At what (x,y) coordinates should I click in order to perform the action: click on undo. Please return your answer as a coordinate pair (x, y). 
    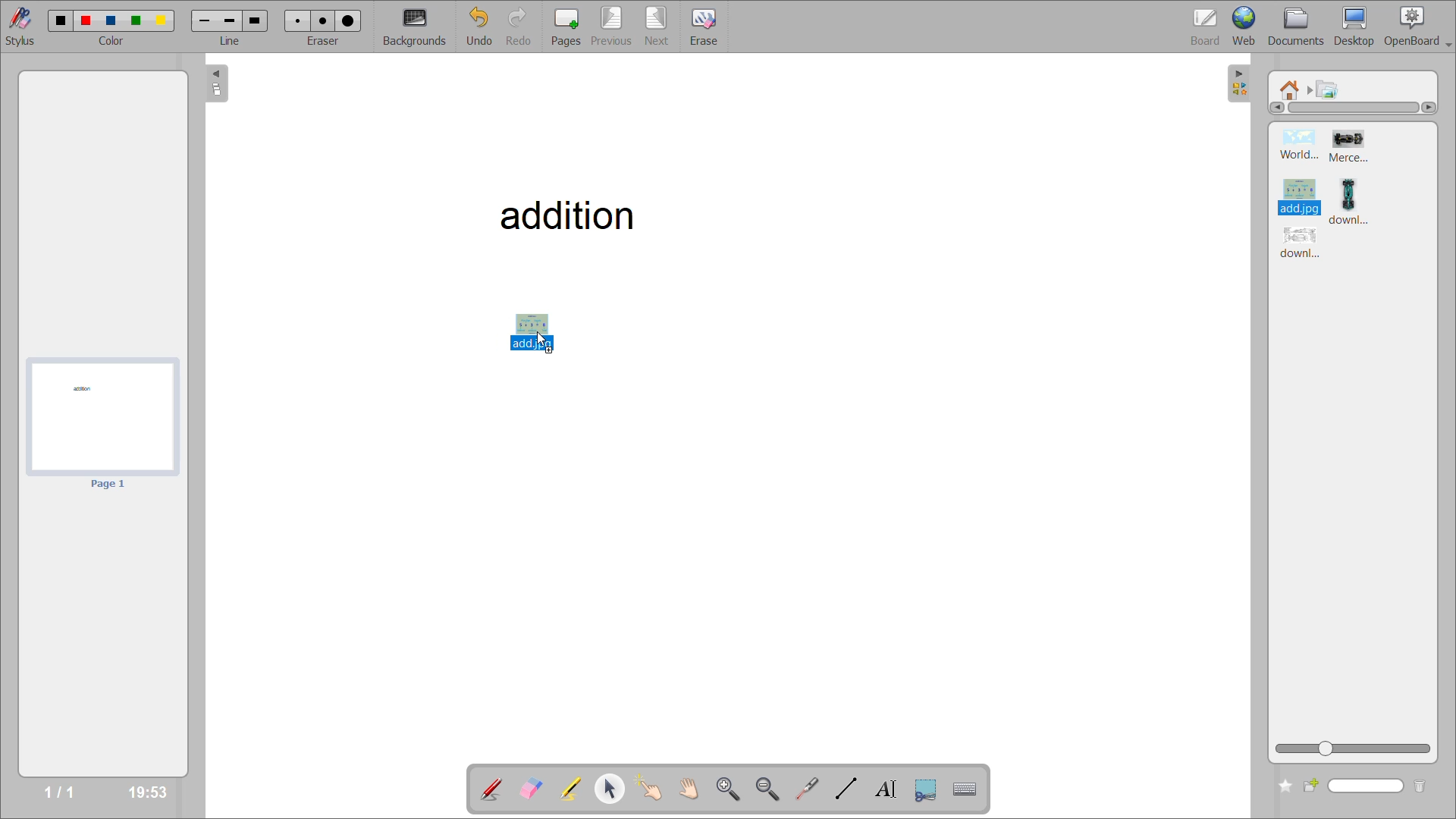
    Looking at the image, I should click on (486, 27).